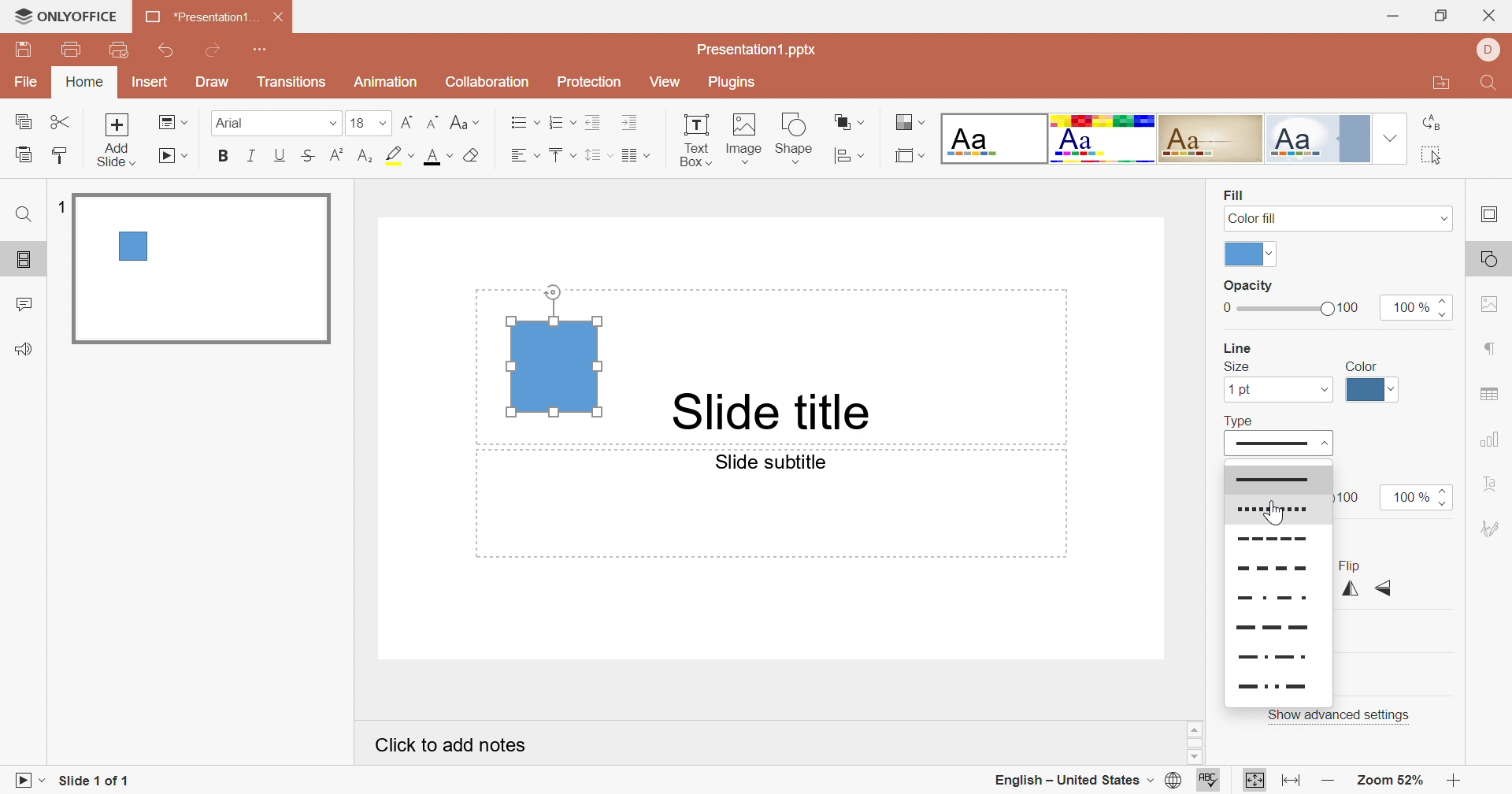 The width and height of the screenshot is (1512, 794). Describe the element at coordinates (1444, 85) in the screenshot. I see `Open file location` at that location.